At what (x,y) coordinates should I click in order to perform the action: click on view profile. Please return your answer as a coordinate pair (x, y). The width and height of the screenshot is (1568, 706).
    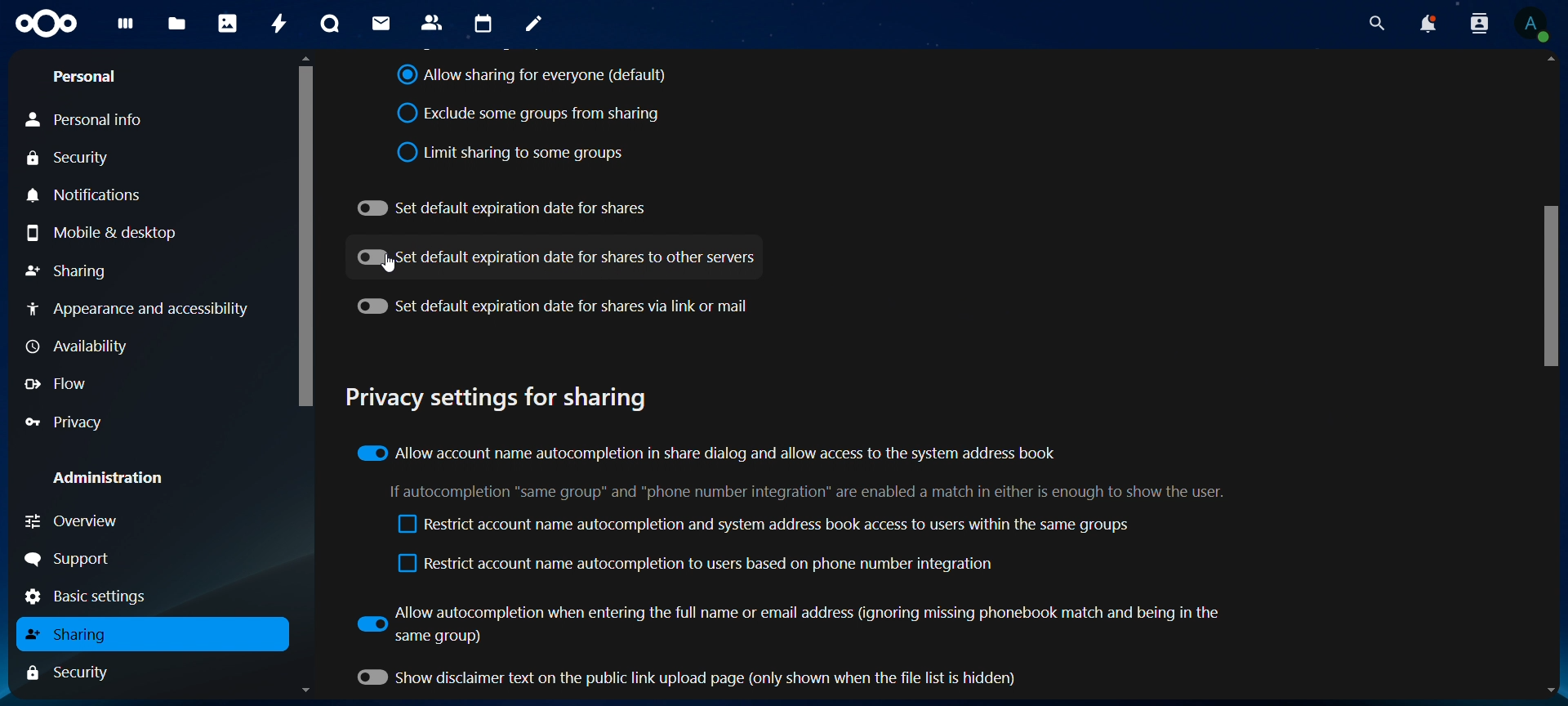
    Looking at the image, I should click on (1533, 27).